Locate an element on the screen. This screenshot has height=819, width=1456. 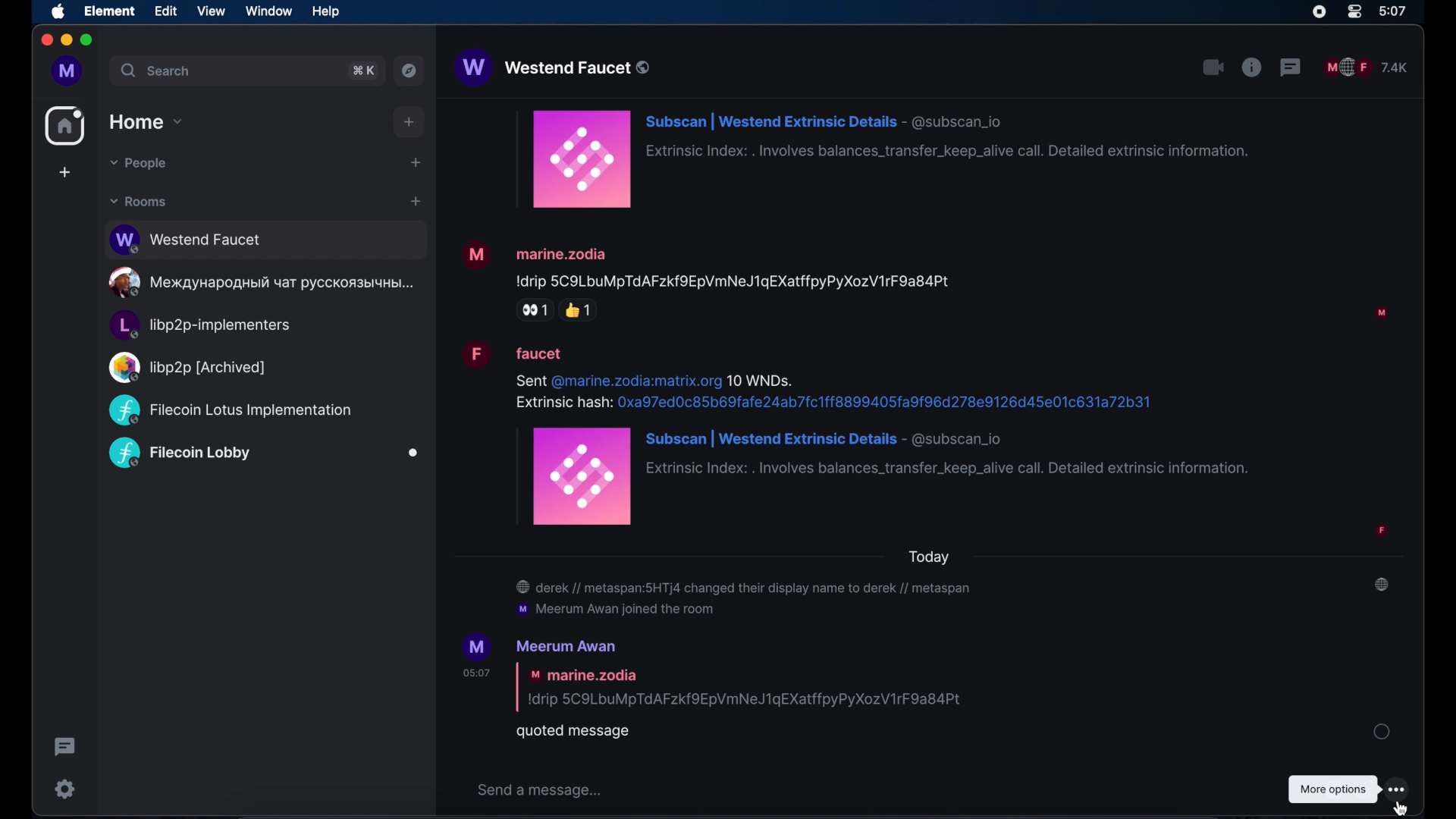
public room is located at coordinates (200, 326).